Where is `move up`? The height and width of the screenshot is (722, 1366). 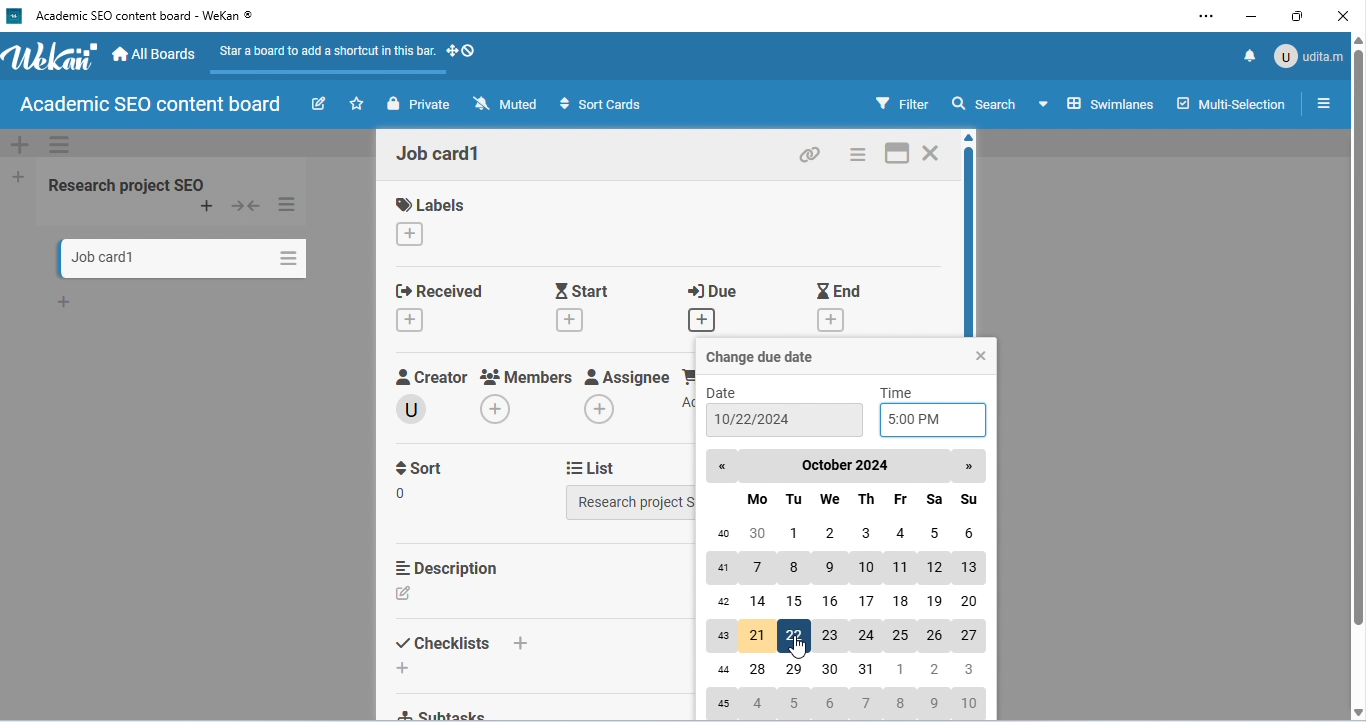 move up is located at coordinates (1357, 40).